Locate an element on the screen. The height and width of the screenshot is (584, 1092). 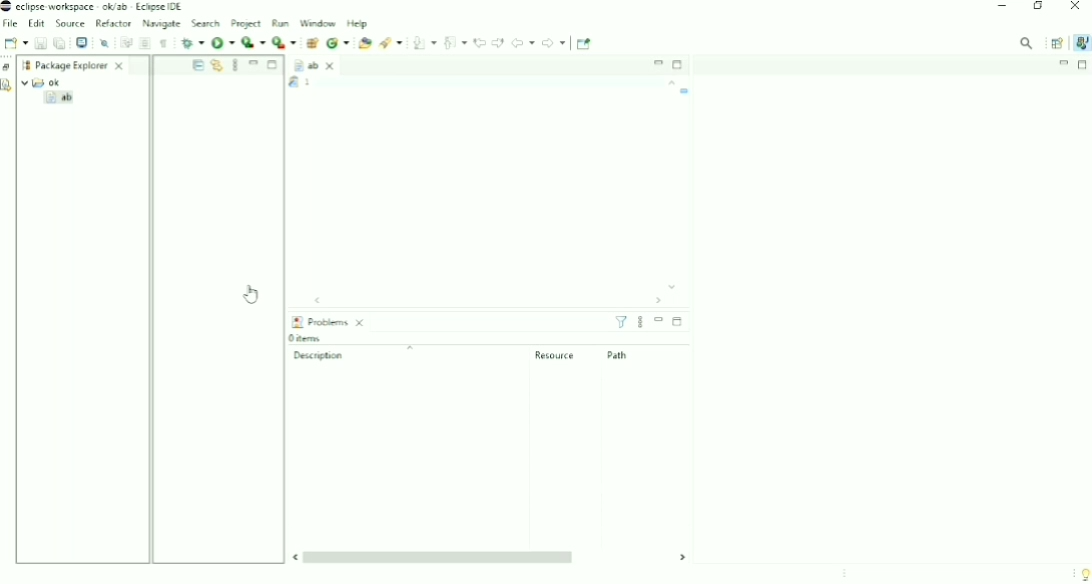
New Java Package is located at coordinates (311, 43).